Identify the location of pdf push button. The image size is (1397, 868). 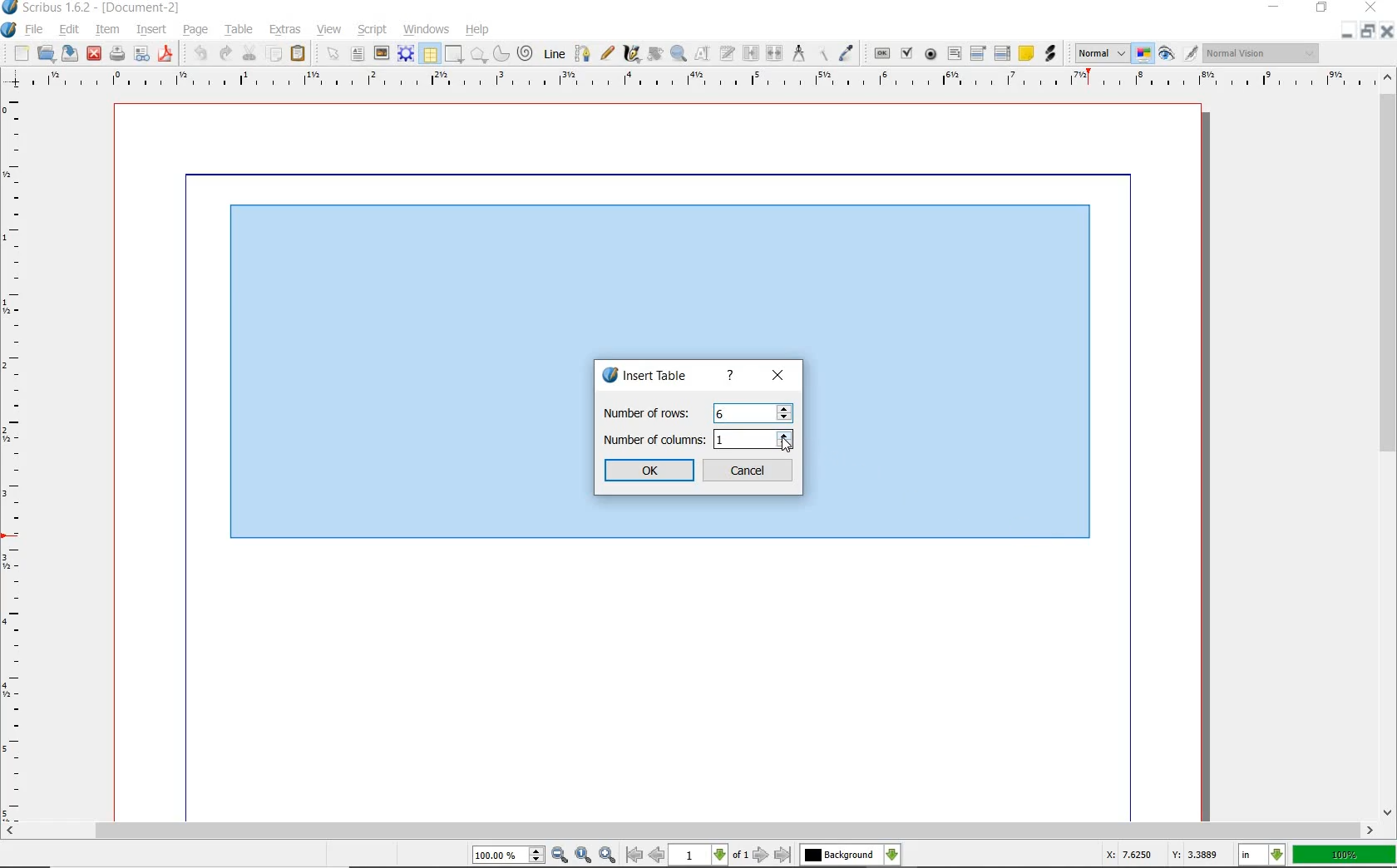
(882, 54).